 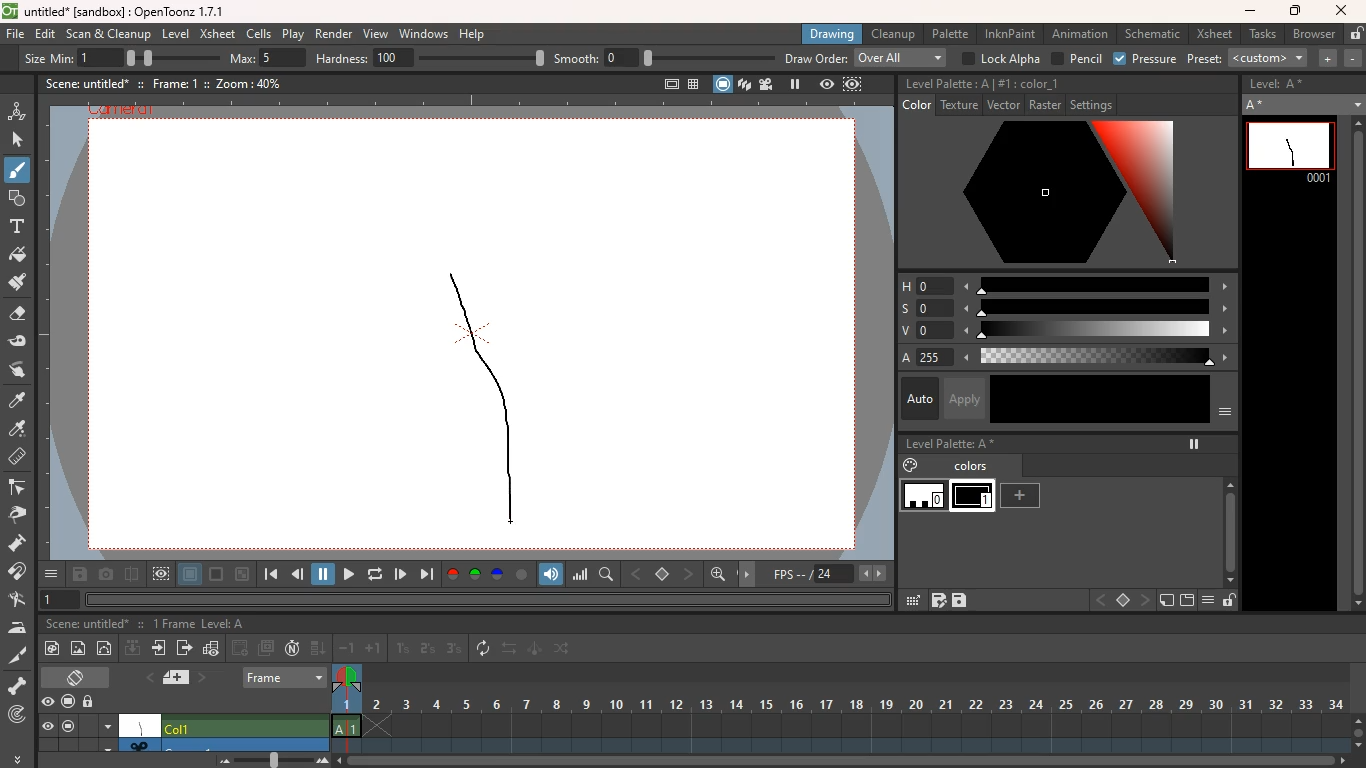 I want to click on locate, so click(x=17, y=716).